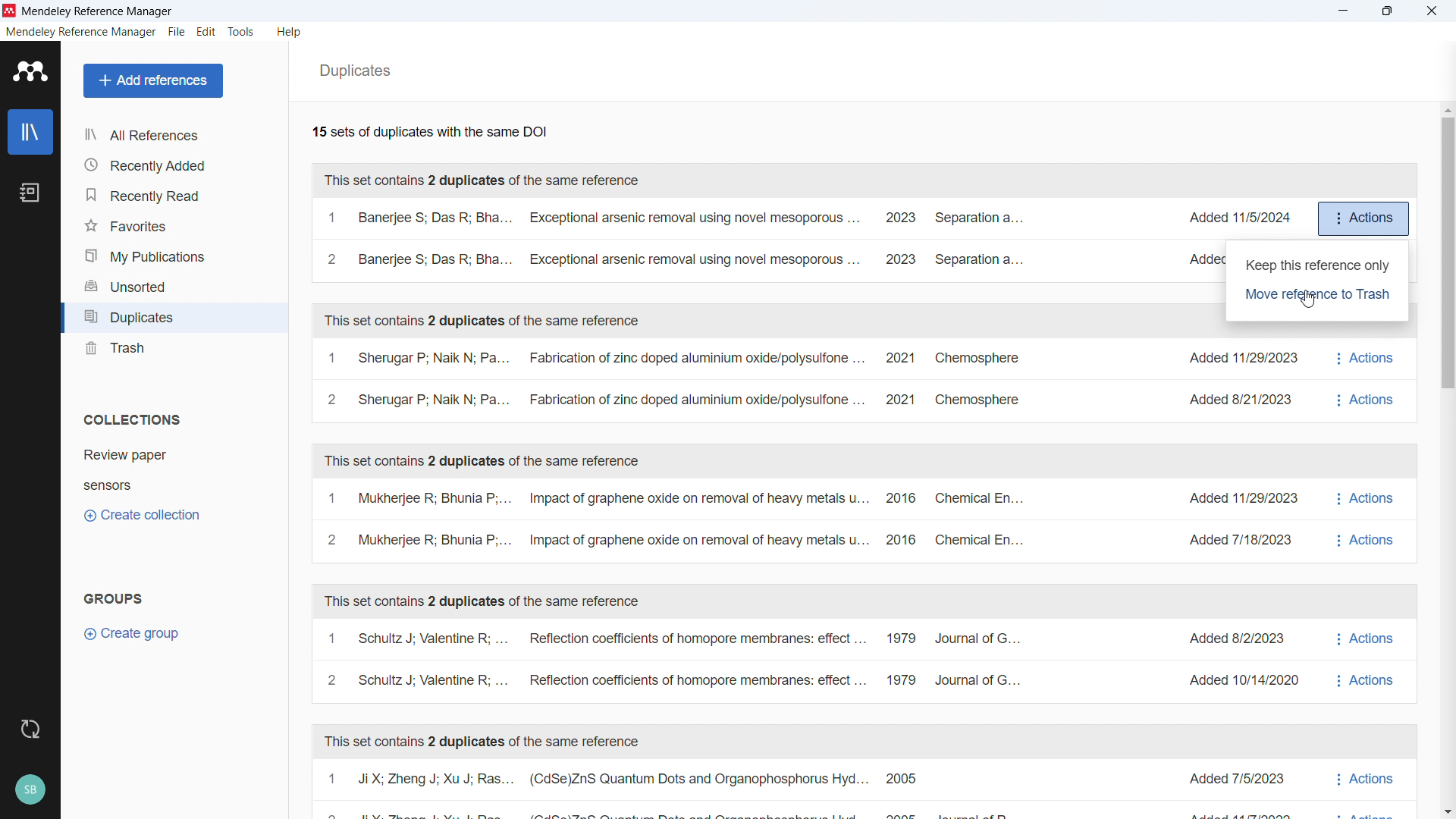  What do you see at coordinates (177, 31) in the screenshot?
I see `File ` at bounding box center [177, 31].